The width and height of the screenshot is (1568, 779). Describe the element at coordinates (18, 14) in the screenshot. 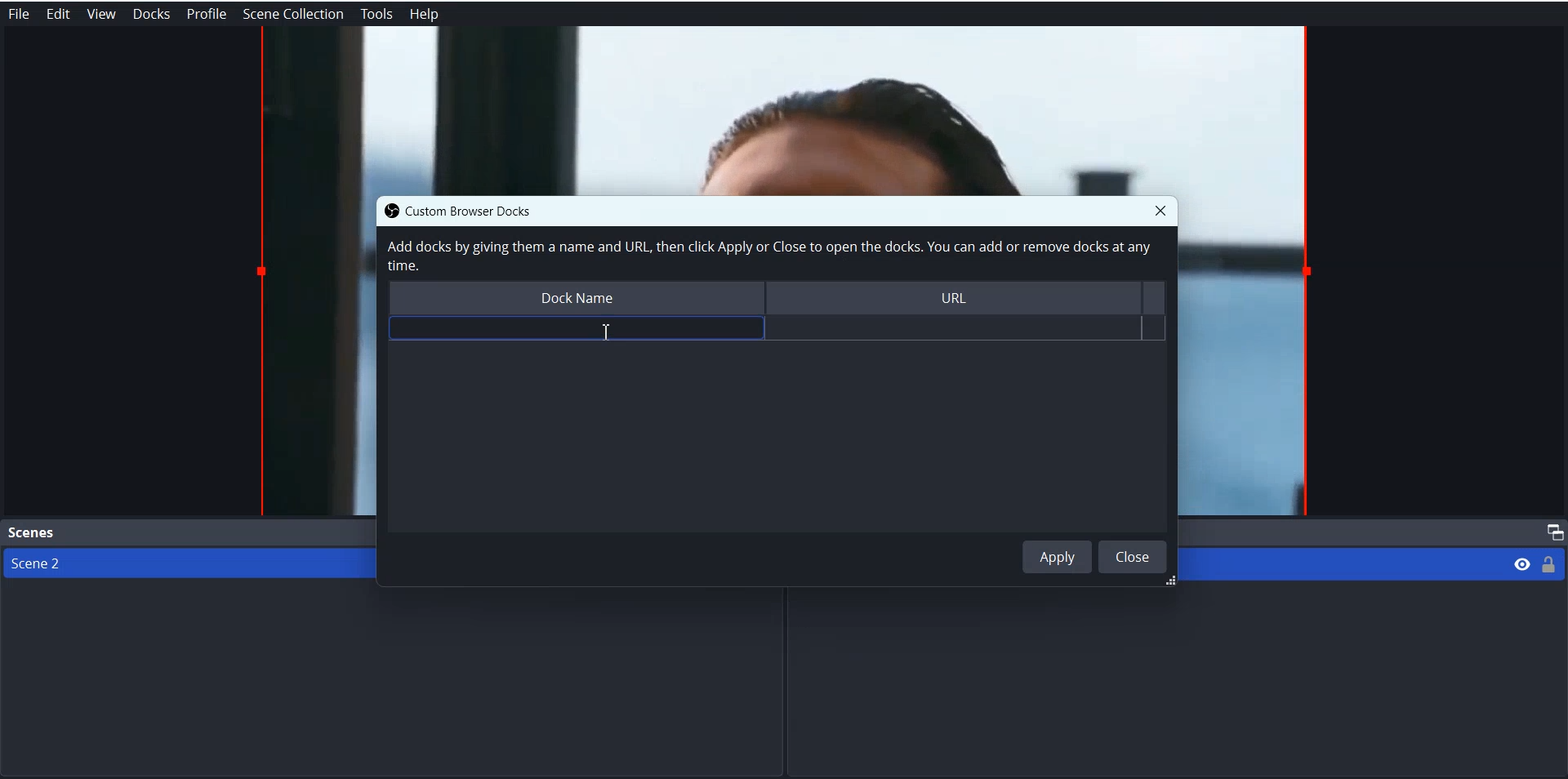

I see `File` at that location.